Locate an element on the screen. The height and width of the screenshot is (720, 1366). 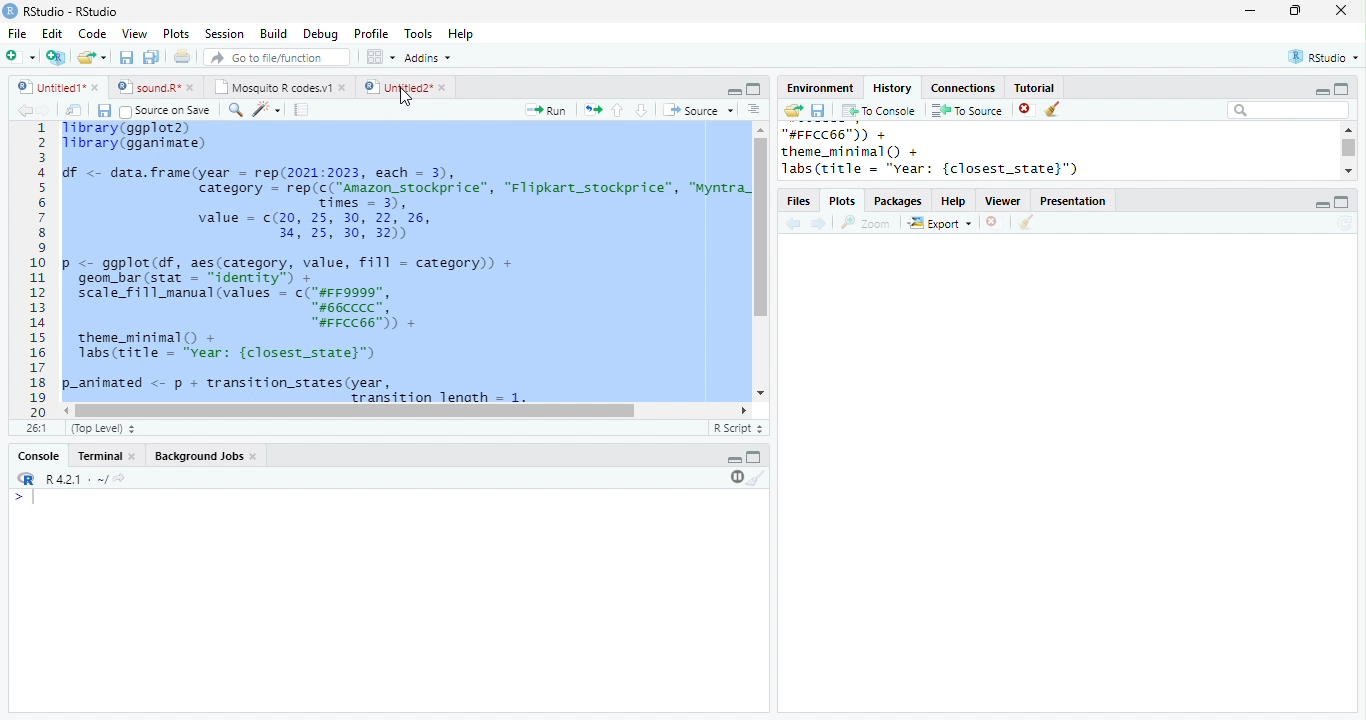
p-animated <- p + transition_states(year,Trancition length = 1. is located at coordinates (377, 389).